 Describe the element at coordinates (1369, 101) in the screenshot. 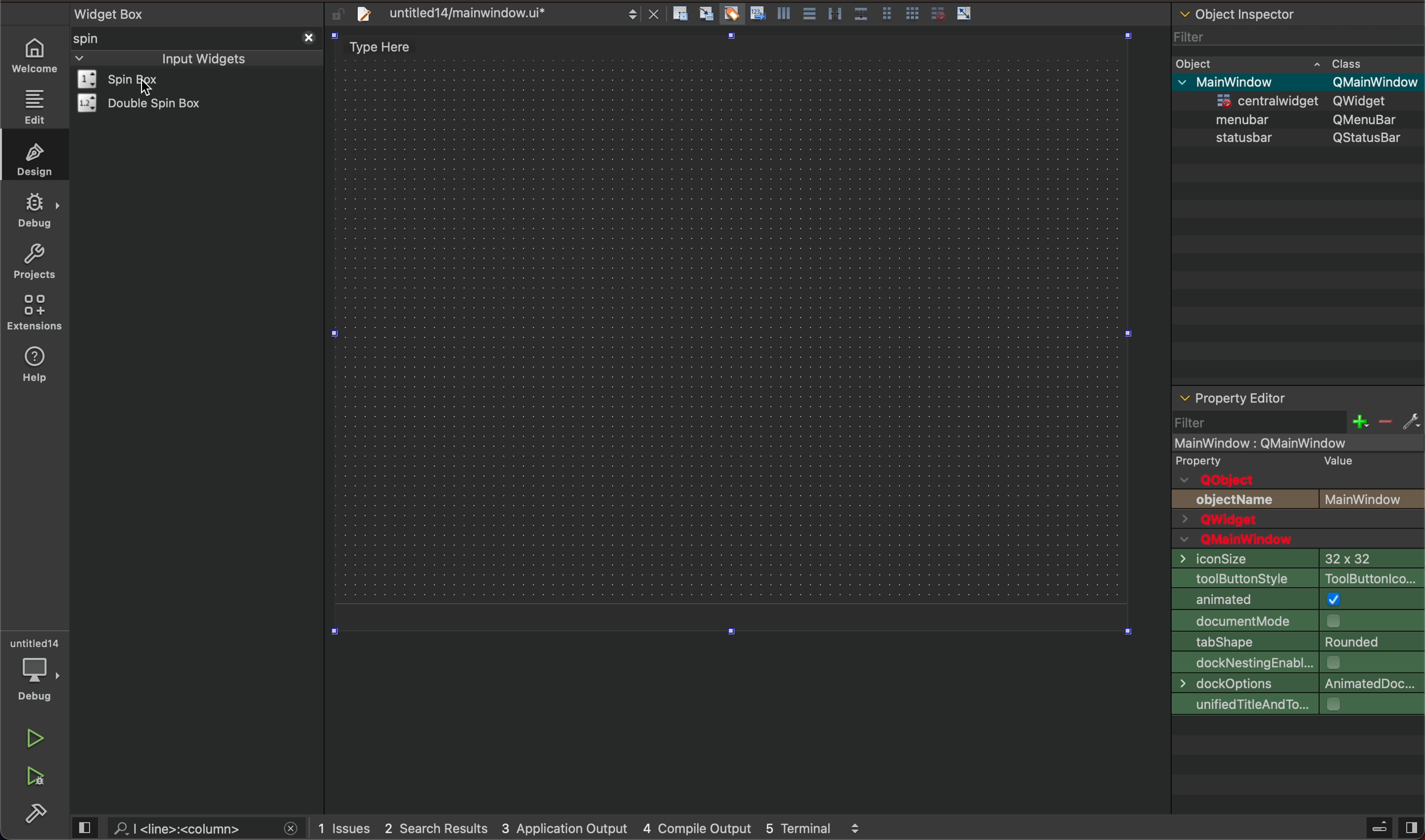

I see `` at that location.